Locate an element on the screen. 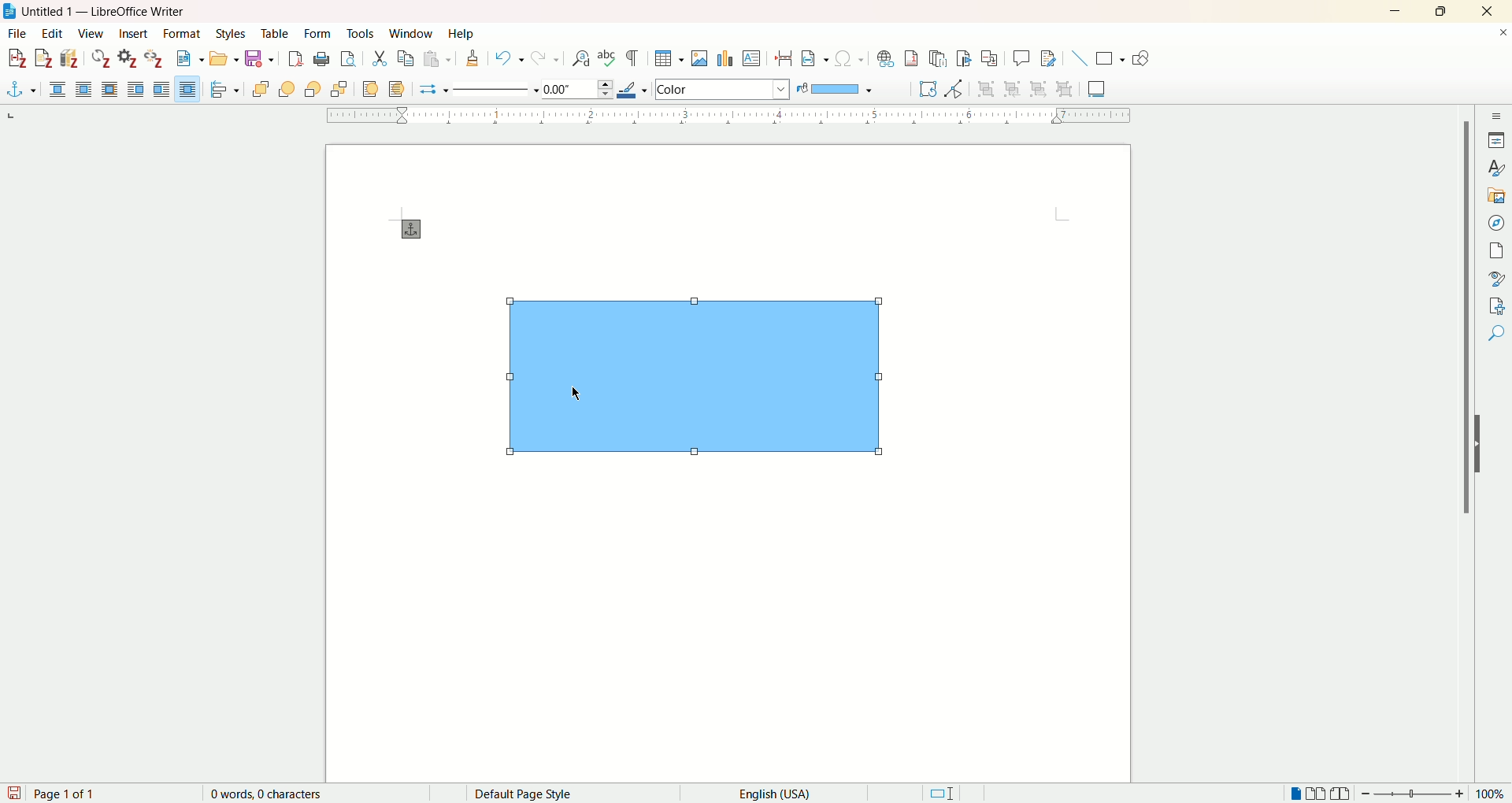 Image resolution: width=1512 pixels, height=803 pixels. fill color is located at coordinates (836, 87).